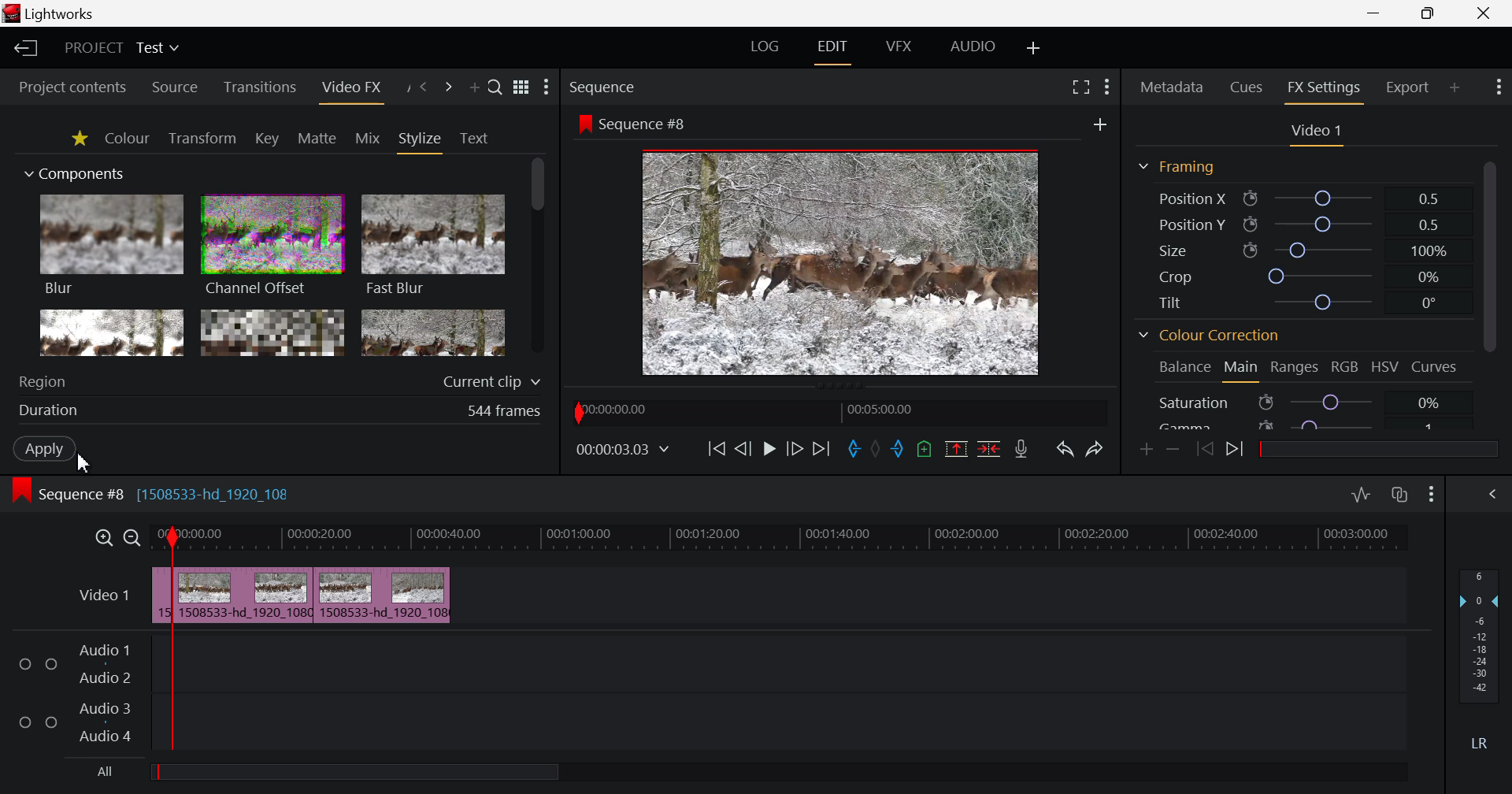  I want to click on Next keyframe, so click(1236, 451).